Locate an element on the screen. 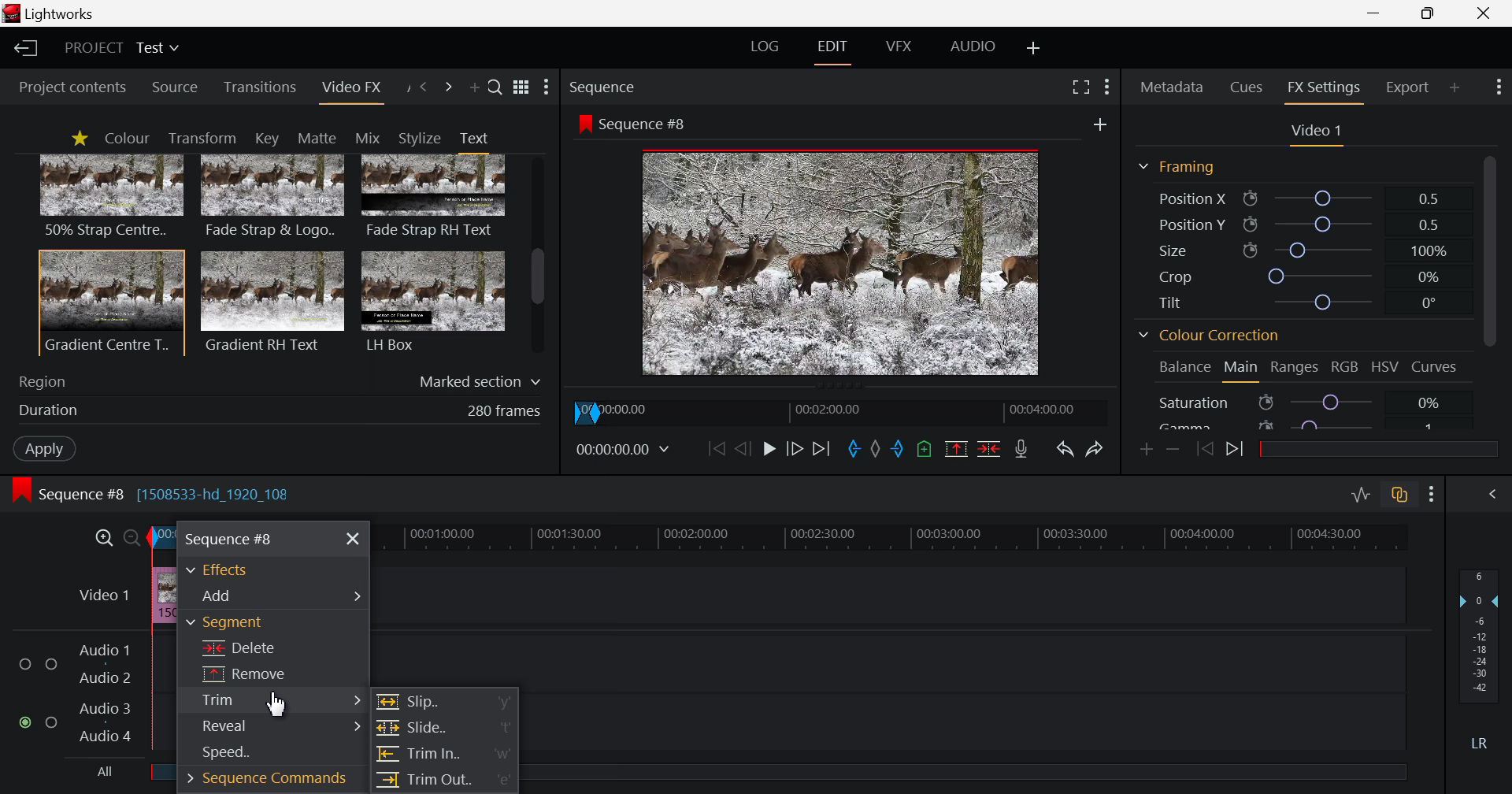 Image resolution: width=1512 pixels, height=794 pixels. Gradient RH Text is located at coordinates (269, 301).